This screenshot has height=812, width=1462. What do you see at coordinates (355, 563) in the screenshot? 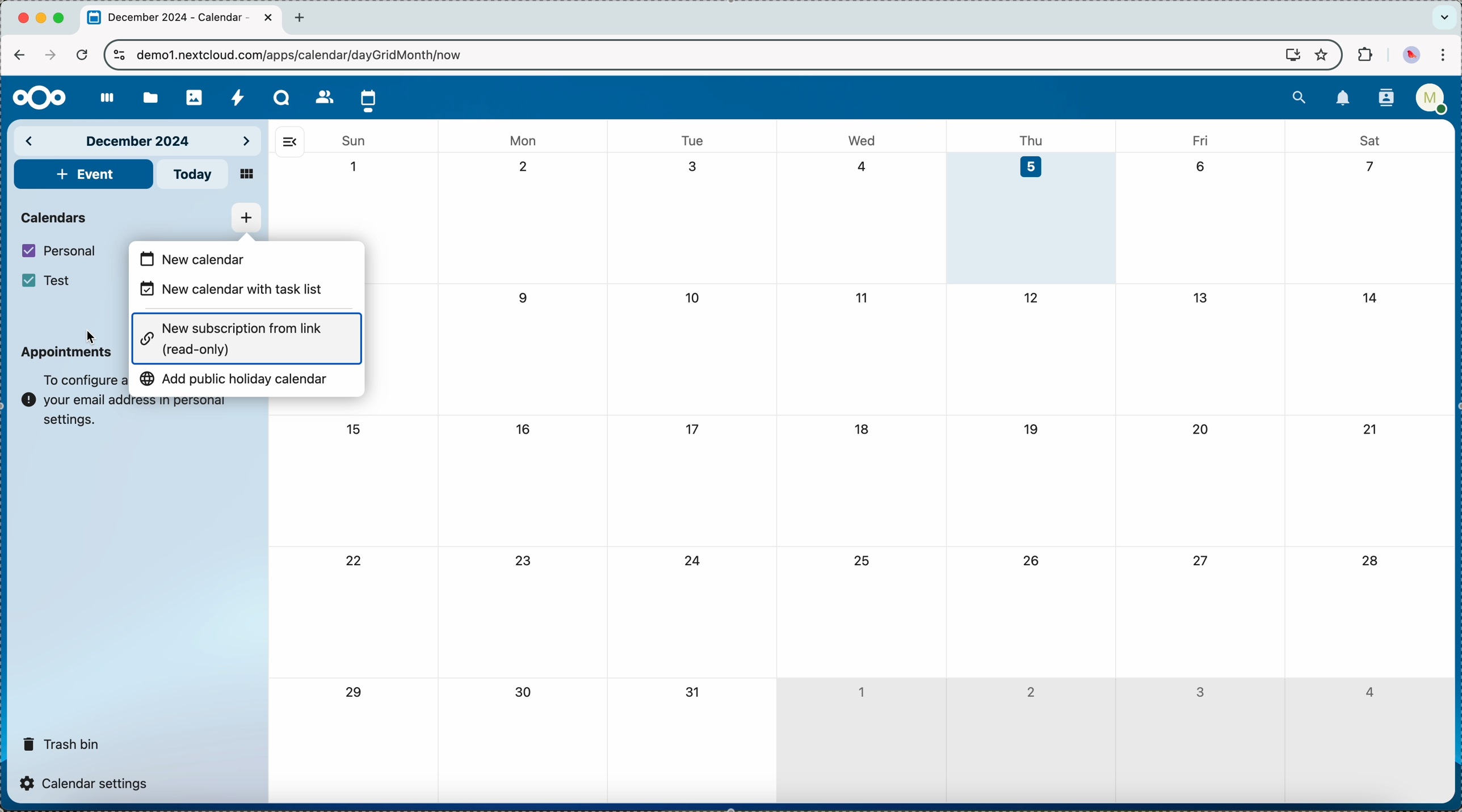
I see `22` at bounding box center [355, 563].